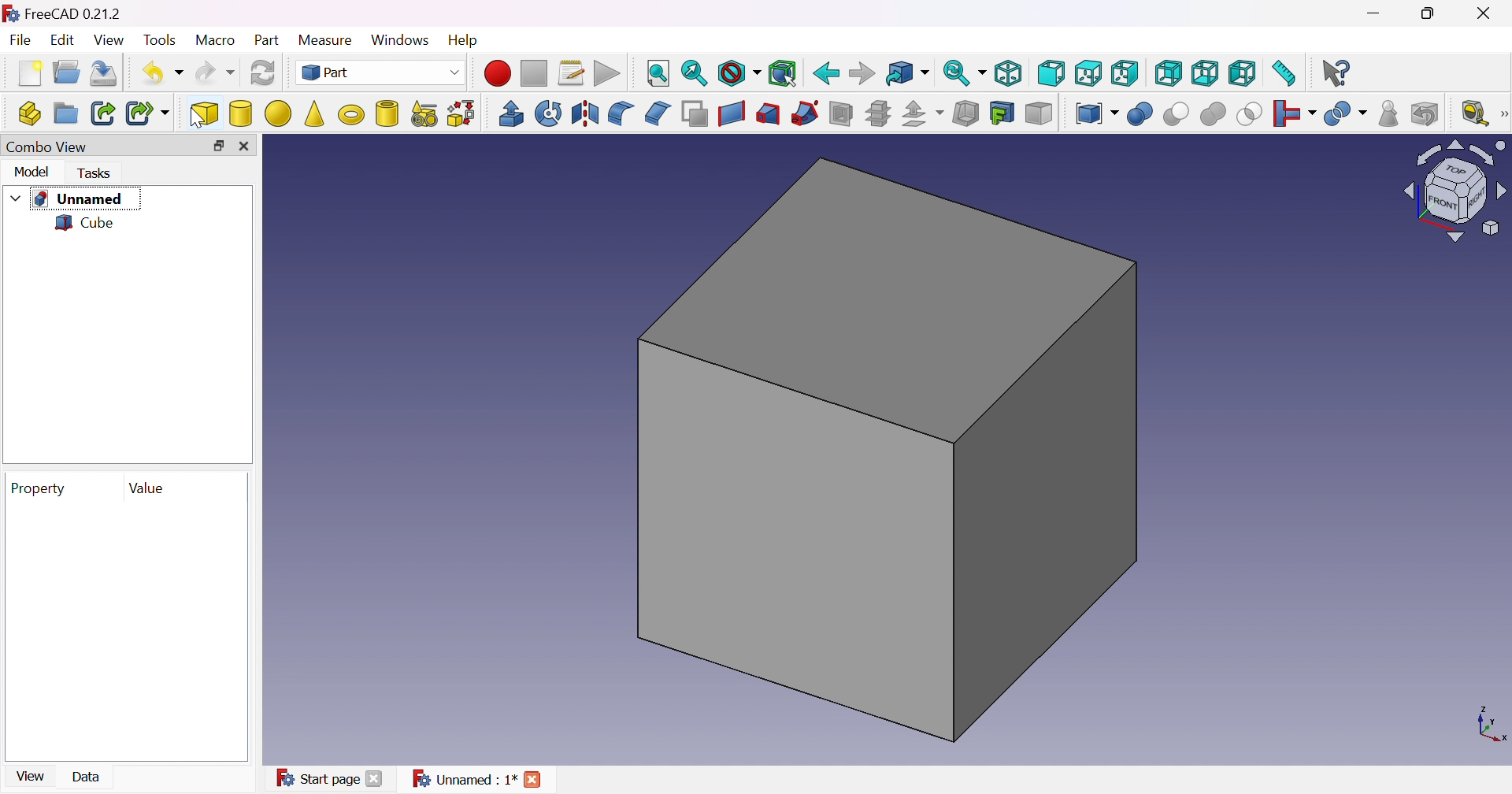  Describe the element at coordinates (197, 116) in the screenshot. I see `Cursor` at that location.